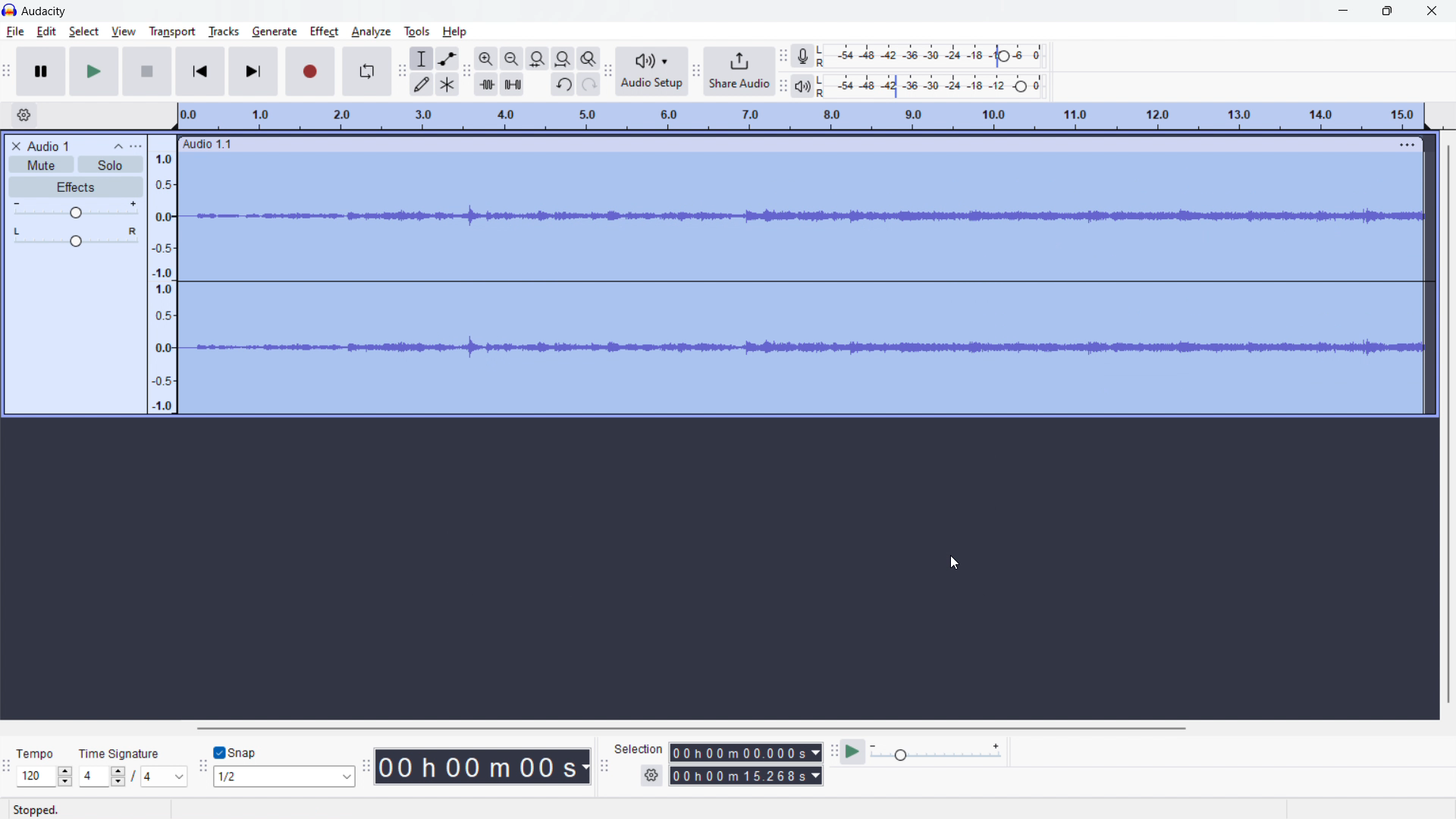 The width and height of the screenshot is (1456, 819). Describe the element at coordinates (15, 146) in the screenshot. I see `delete audio` at that location.